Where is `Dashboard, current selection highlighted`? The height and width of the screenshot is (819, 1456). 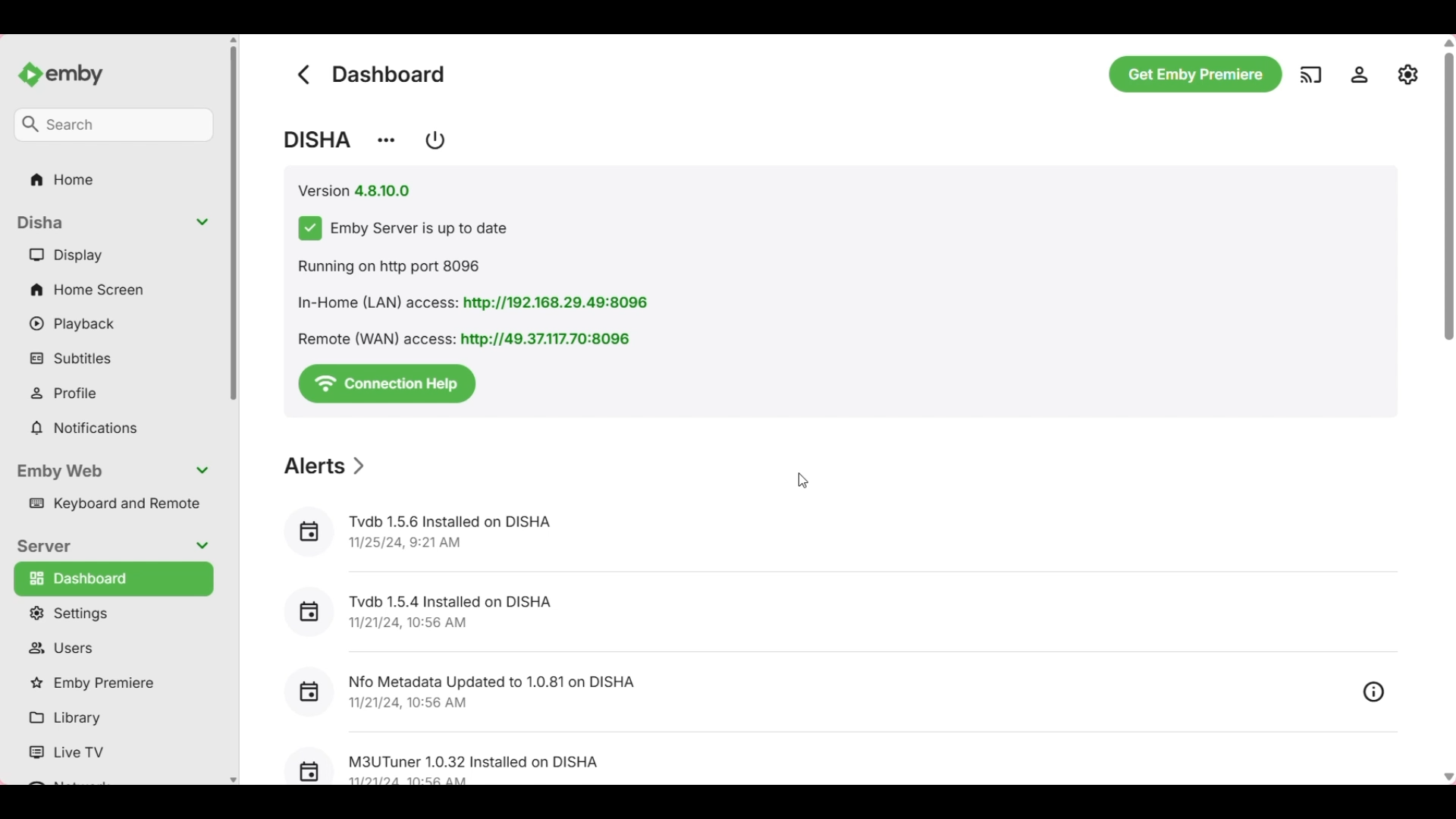 Dashboard, current selection highlighted is located at coordinates (114, 579).